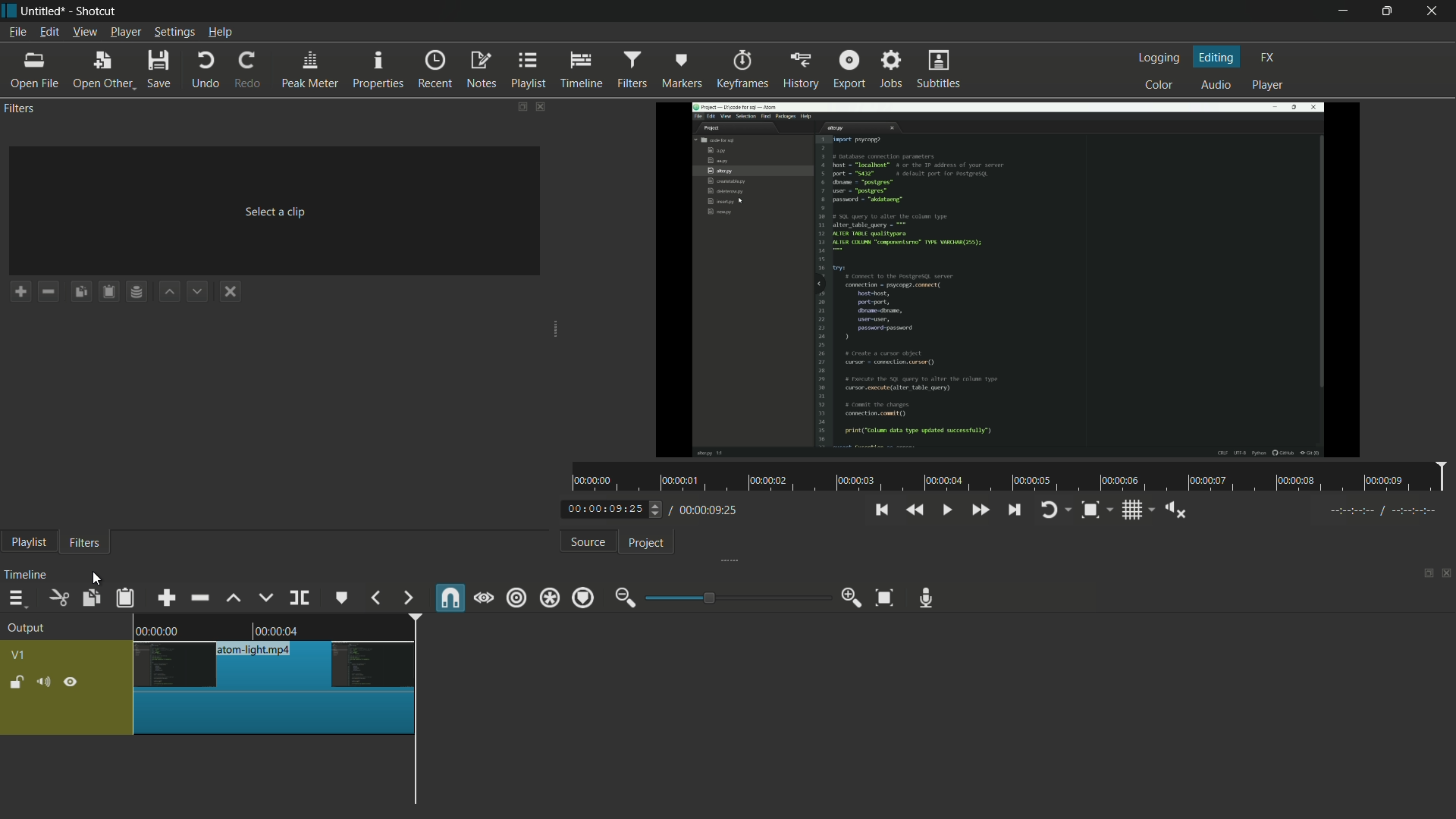 This screenshot has width=1456, height=819. What do you see at coordinates (529, 71) in the screenshot?
I see `playlist` at bounding box center [529, 71].